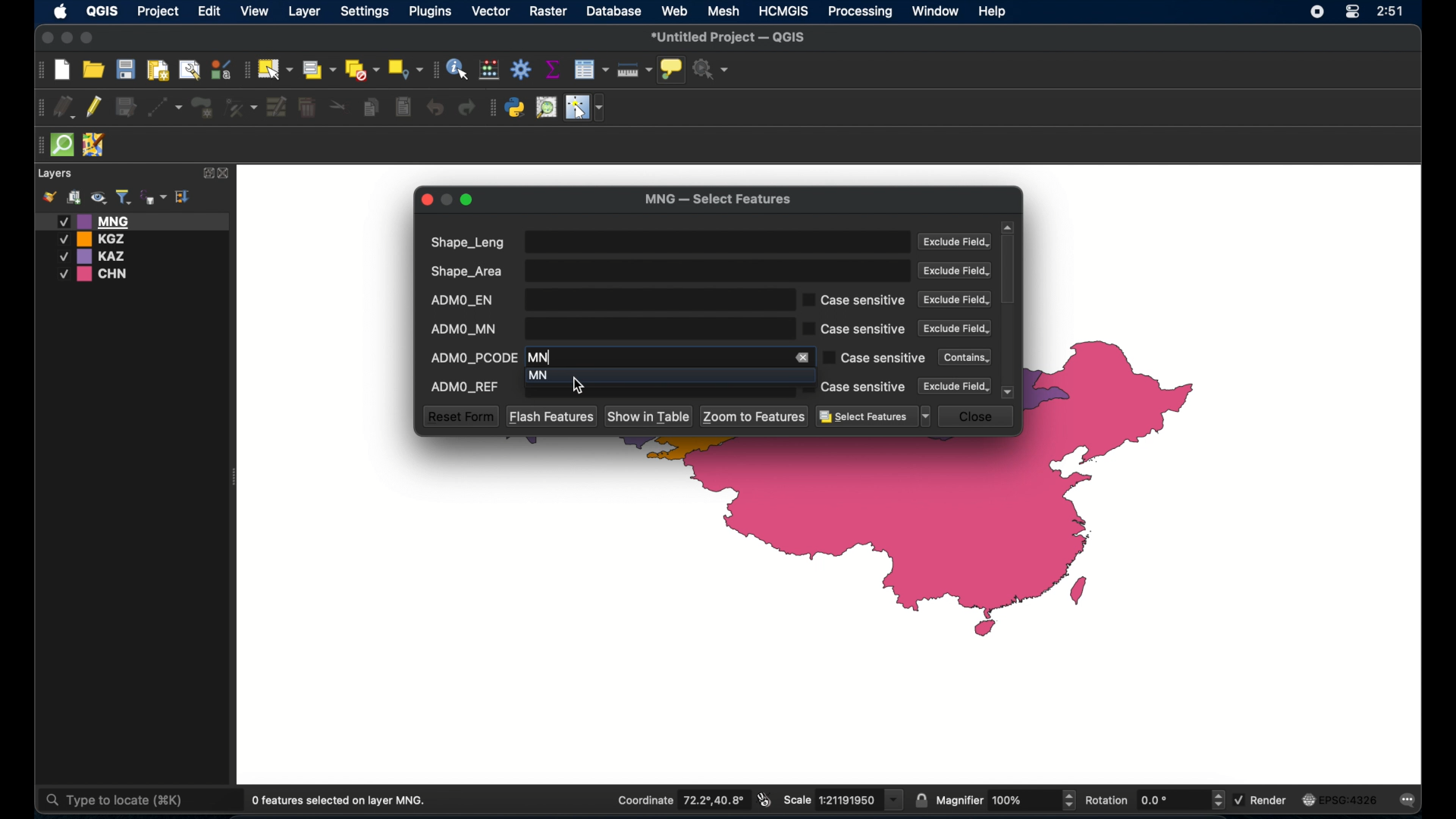 The width and height of the screenshot is (1456, 819). What do you see at coordinates (434, 108) in the screenshot?
I see `undo` at bounding box center [434, 108].